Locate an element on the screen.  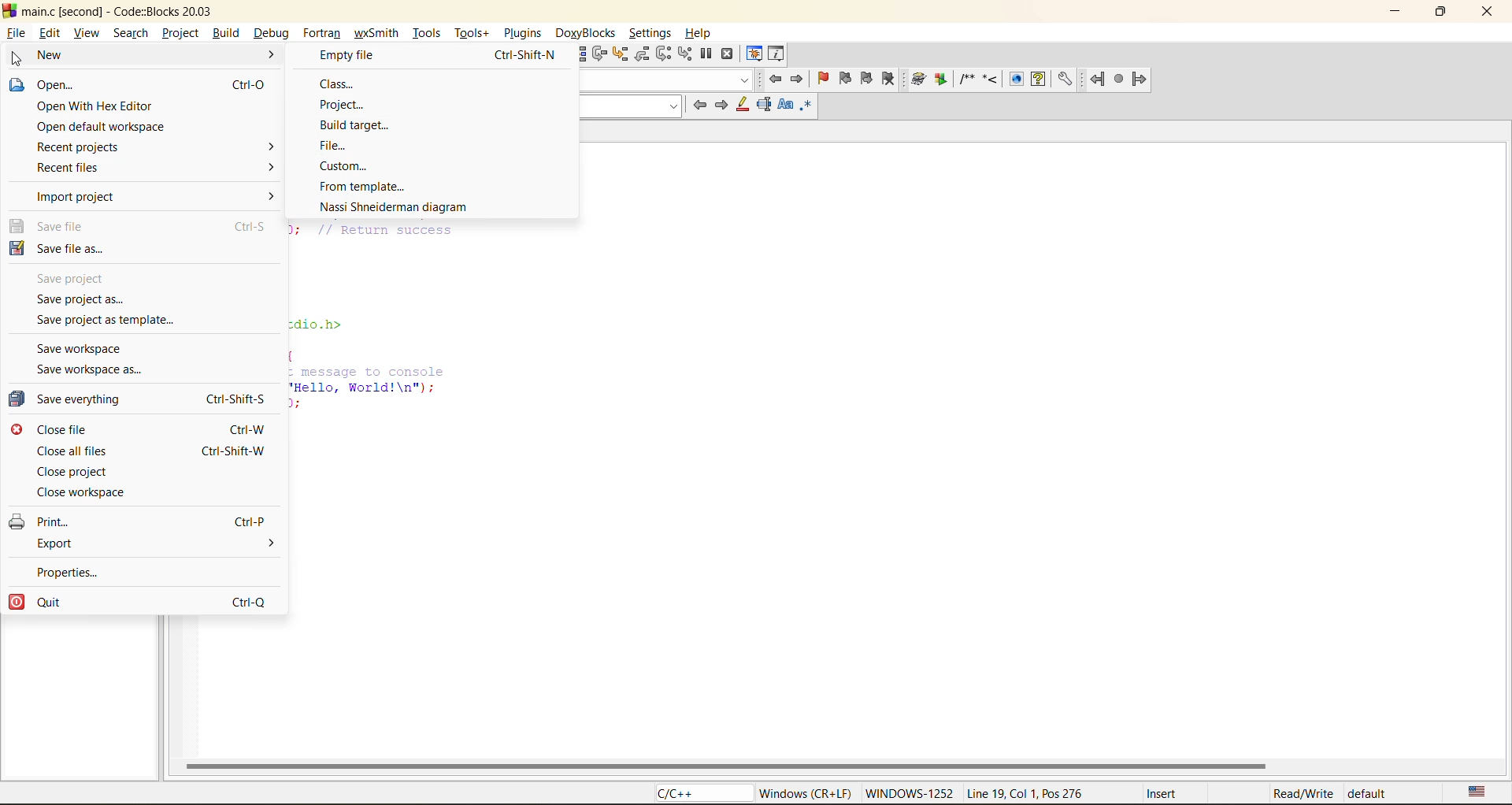
next is located at coordinates (723, 106).